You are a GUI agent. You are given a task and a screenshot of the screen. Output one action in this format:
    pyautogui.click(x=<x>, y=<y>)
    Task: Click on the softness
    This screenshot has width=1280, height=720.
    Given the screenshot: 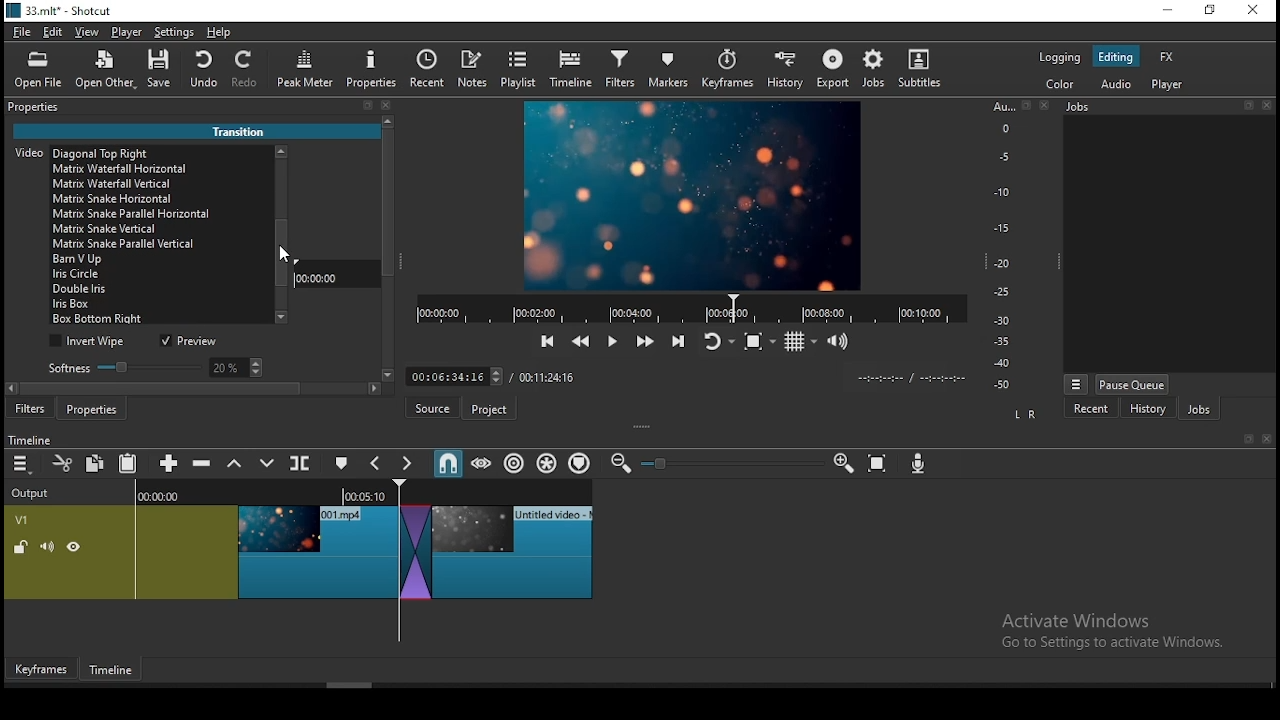 What is the action you would take?
    pyautogui.click(x=152, y=367)
    